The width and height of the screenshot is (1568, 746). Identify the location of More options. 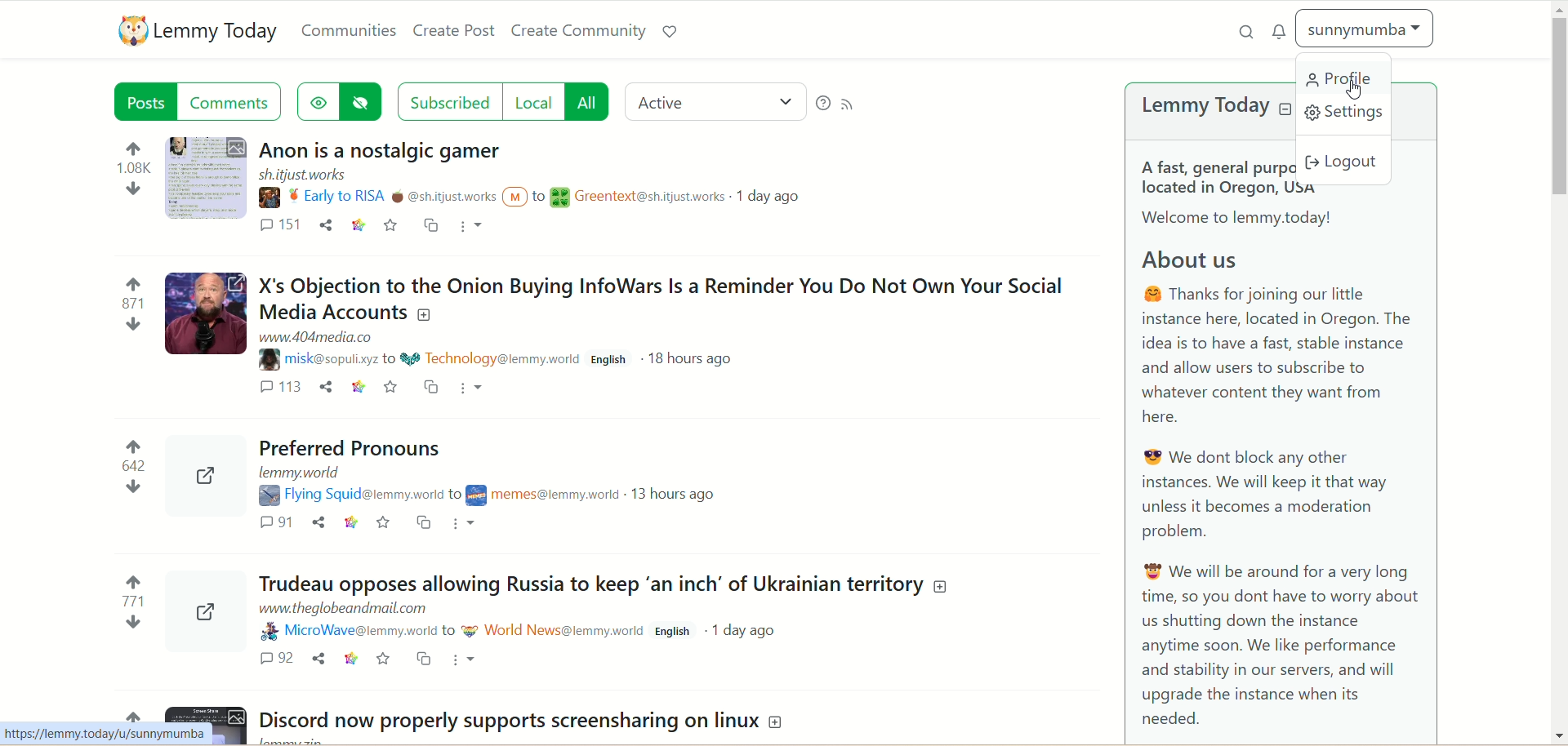
(465, 661).